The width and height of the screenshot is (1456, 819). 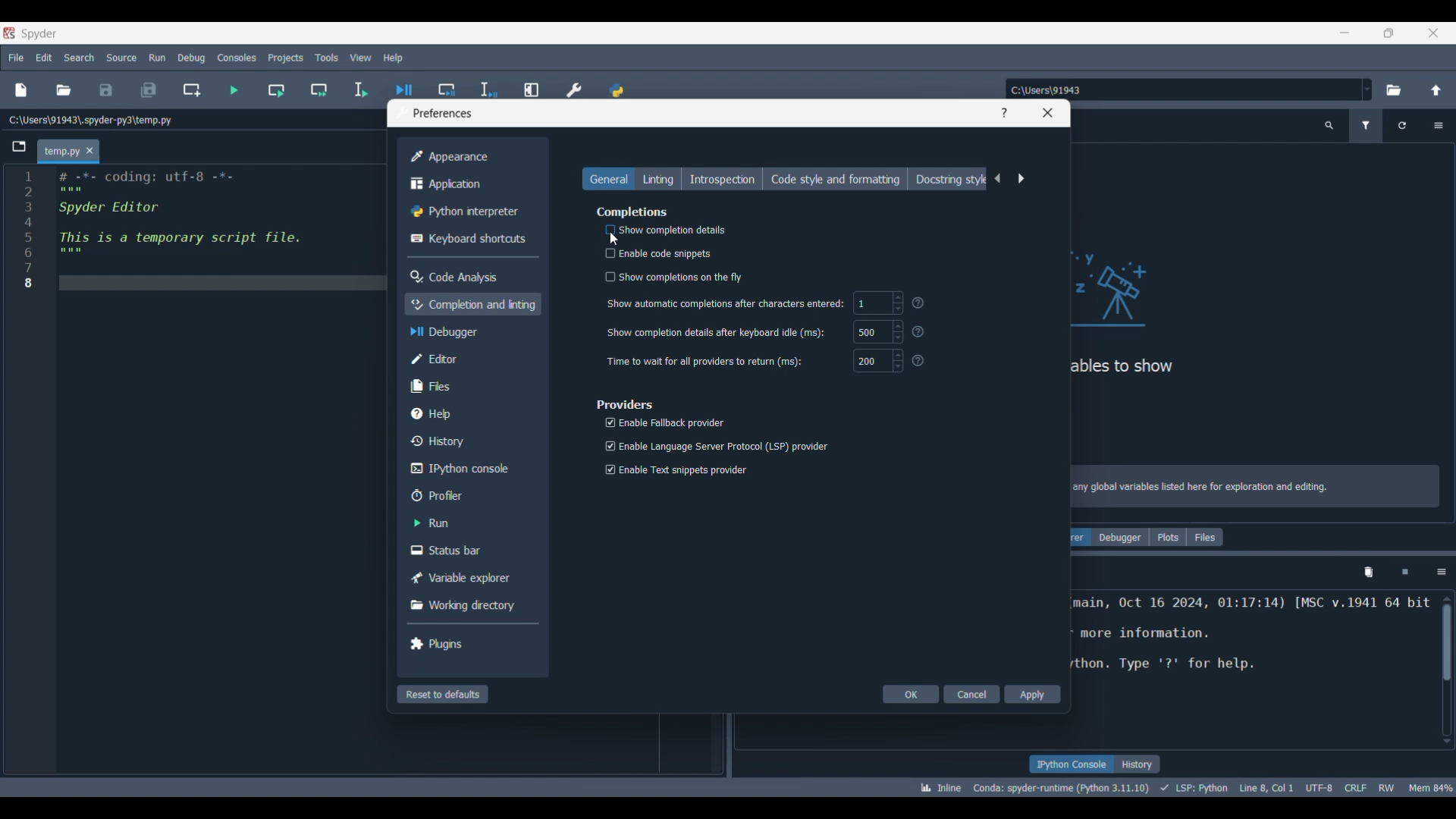 I want to click on Enable Fallback provider, so click(x=664, y=422).